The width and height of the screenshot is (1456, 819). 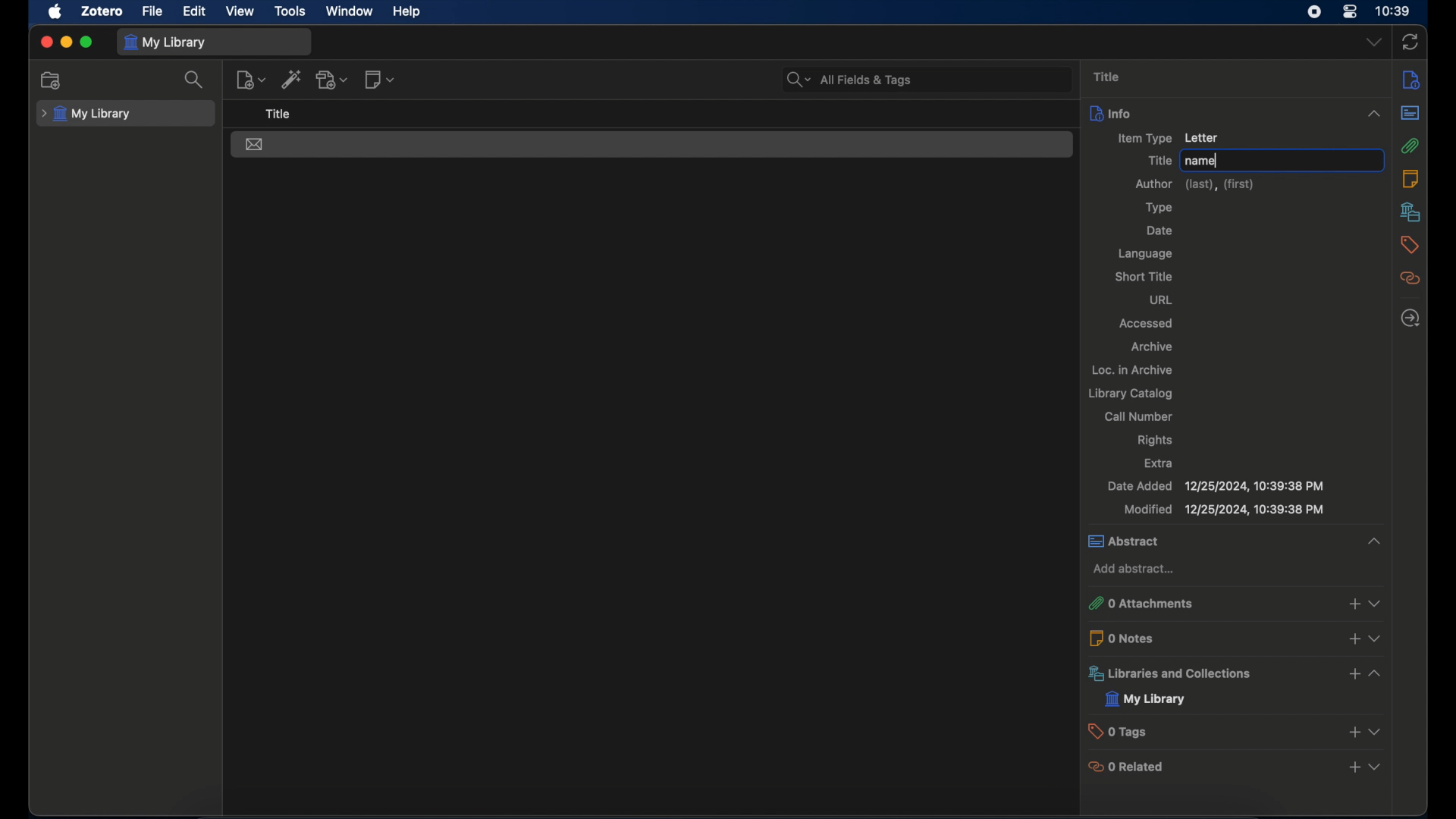 I want to click on apple, so click(x=55, y=12).